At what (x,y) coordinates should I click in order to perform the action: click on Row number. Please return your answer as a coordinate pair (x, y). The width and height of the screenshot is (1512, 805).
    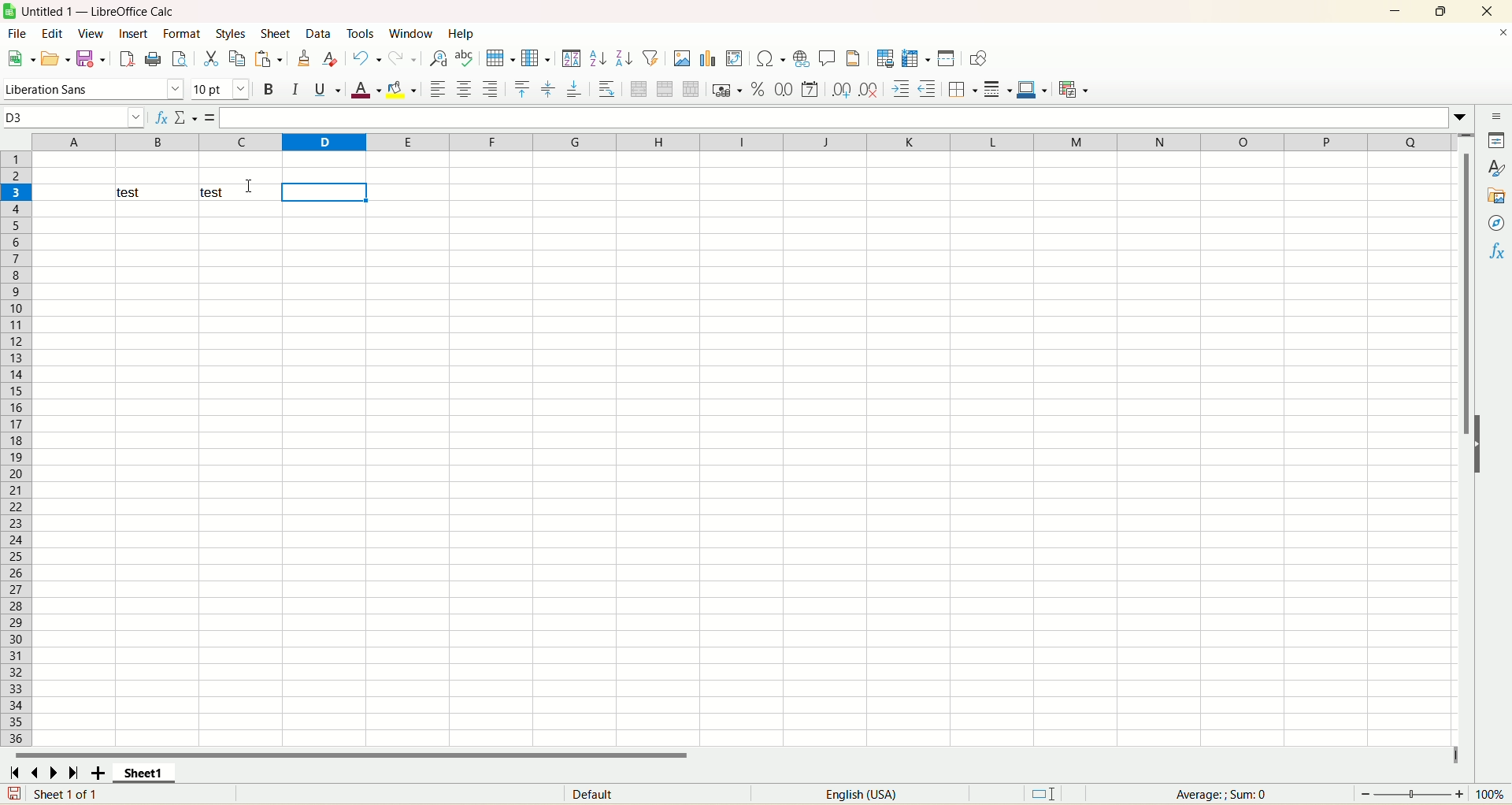
    Looking at the image, I should click on (17, 167).